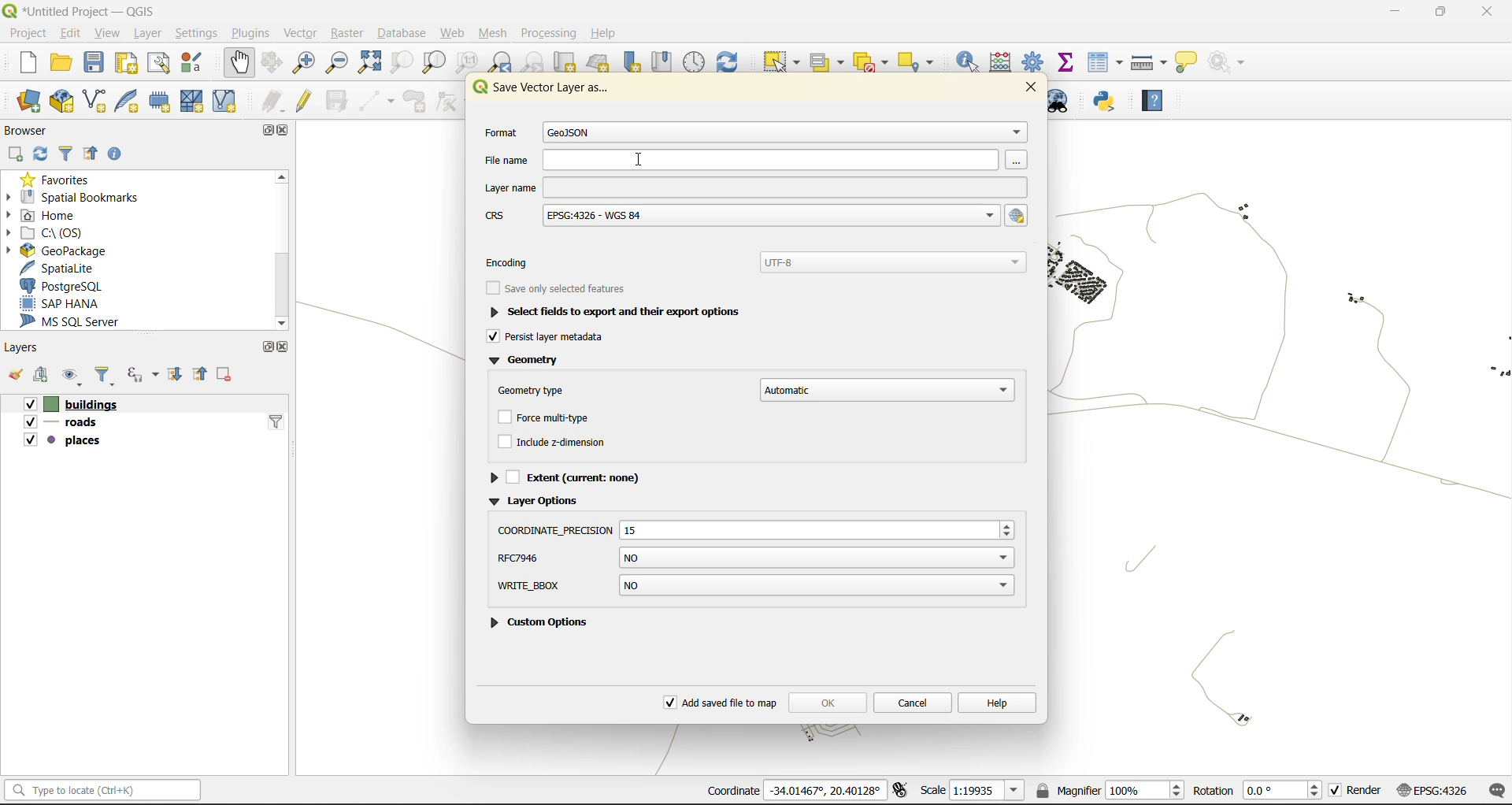 The height and width of the screenshot is (805, 1512). What do you see at coordinates (273, 129) in the screenshot?
I see `maximize` at bounding box center [273, 129].